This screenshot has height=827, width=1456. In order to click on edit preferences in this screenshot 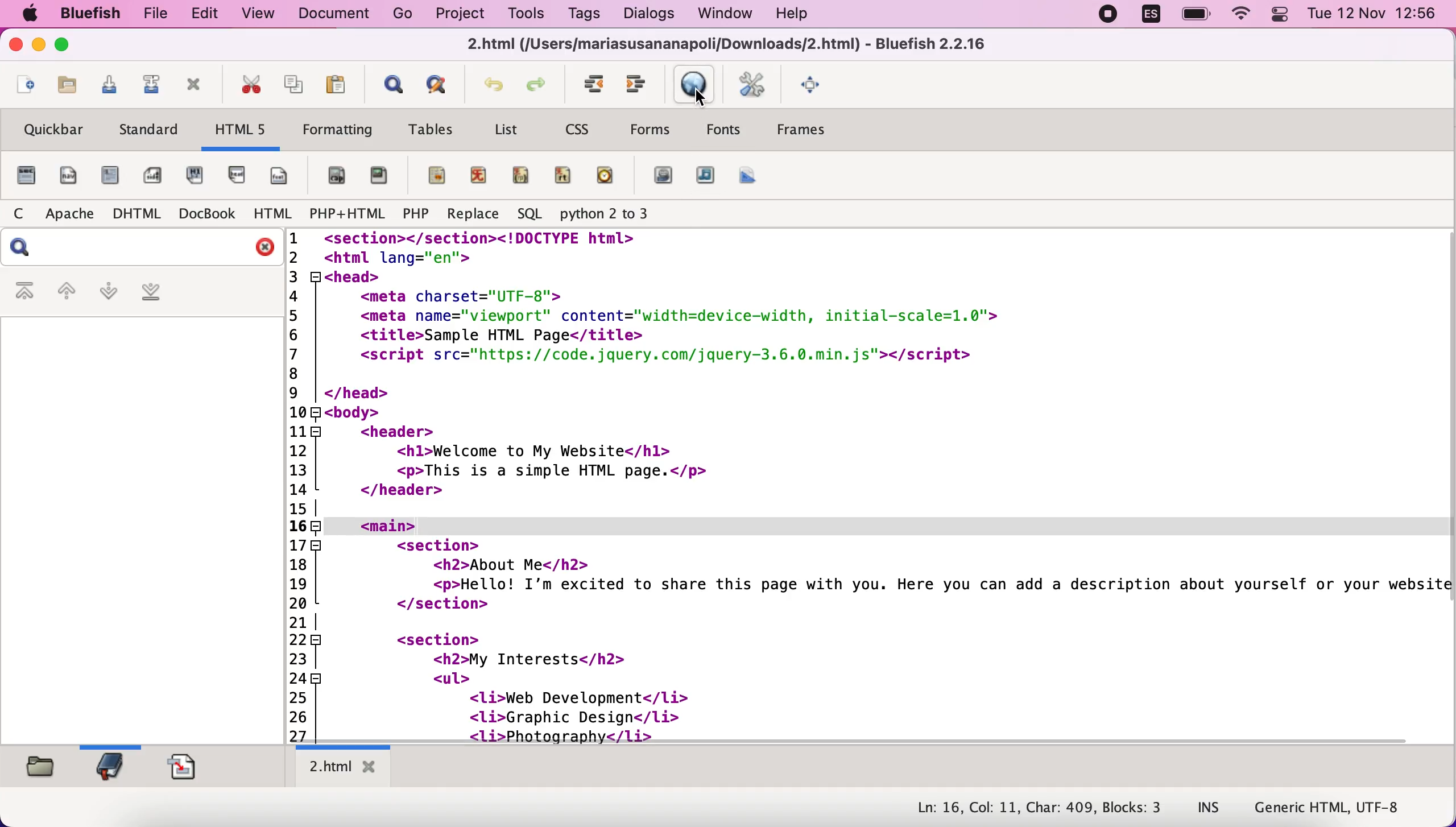, I will do `click(751, 86)`.